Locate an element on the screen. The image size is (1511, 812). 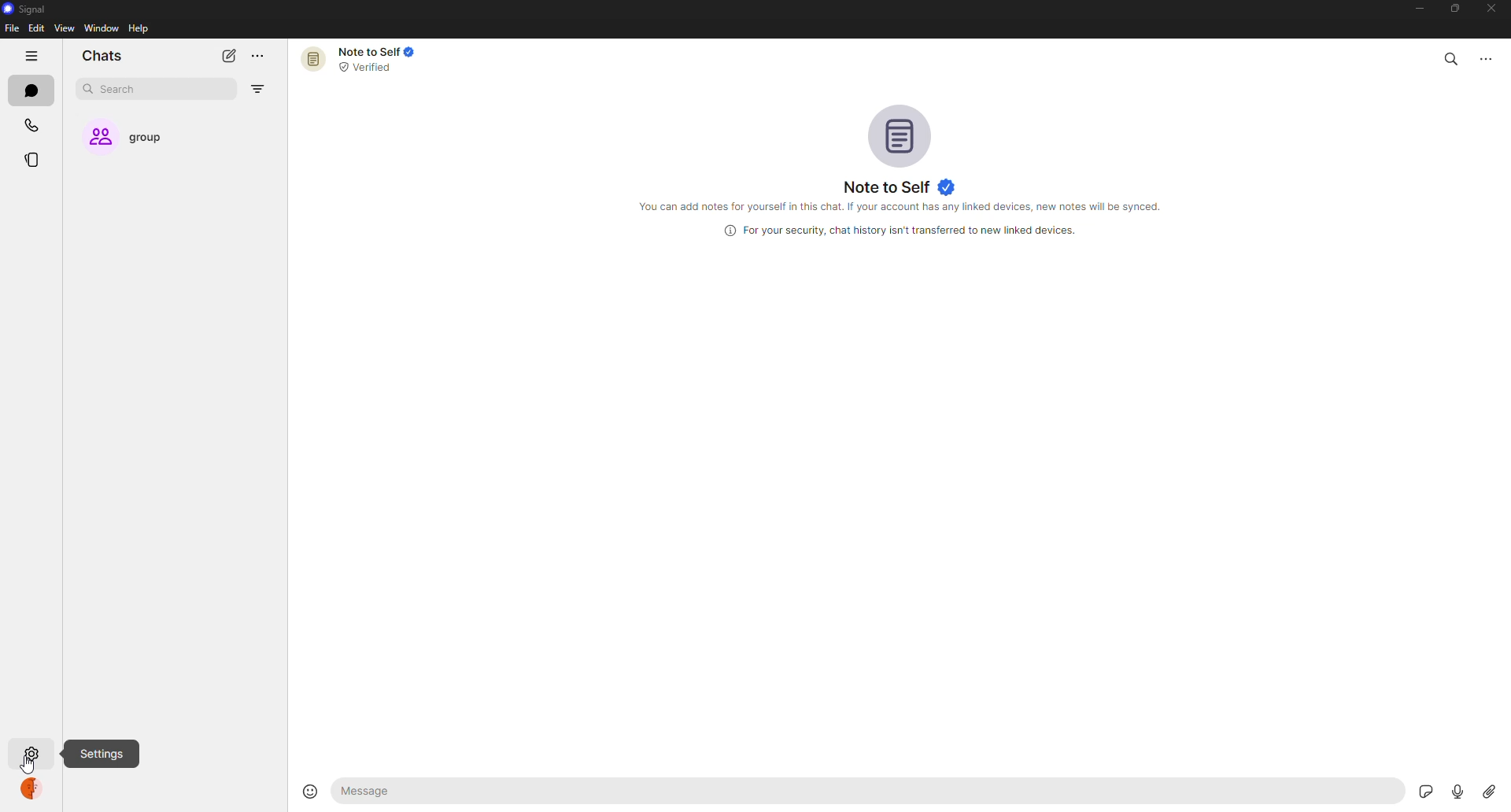
search is located at coordinates (123, 90).